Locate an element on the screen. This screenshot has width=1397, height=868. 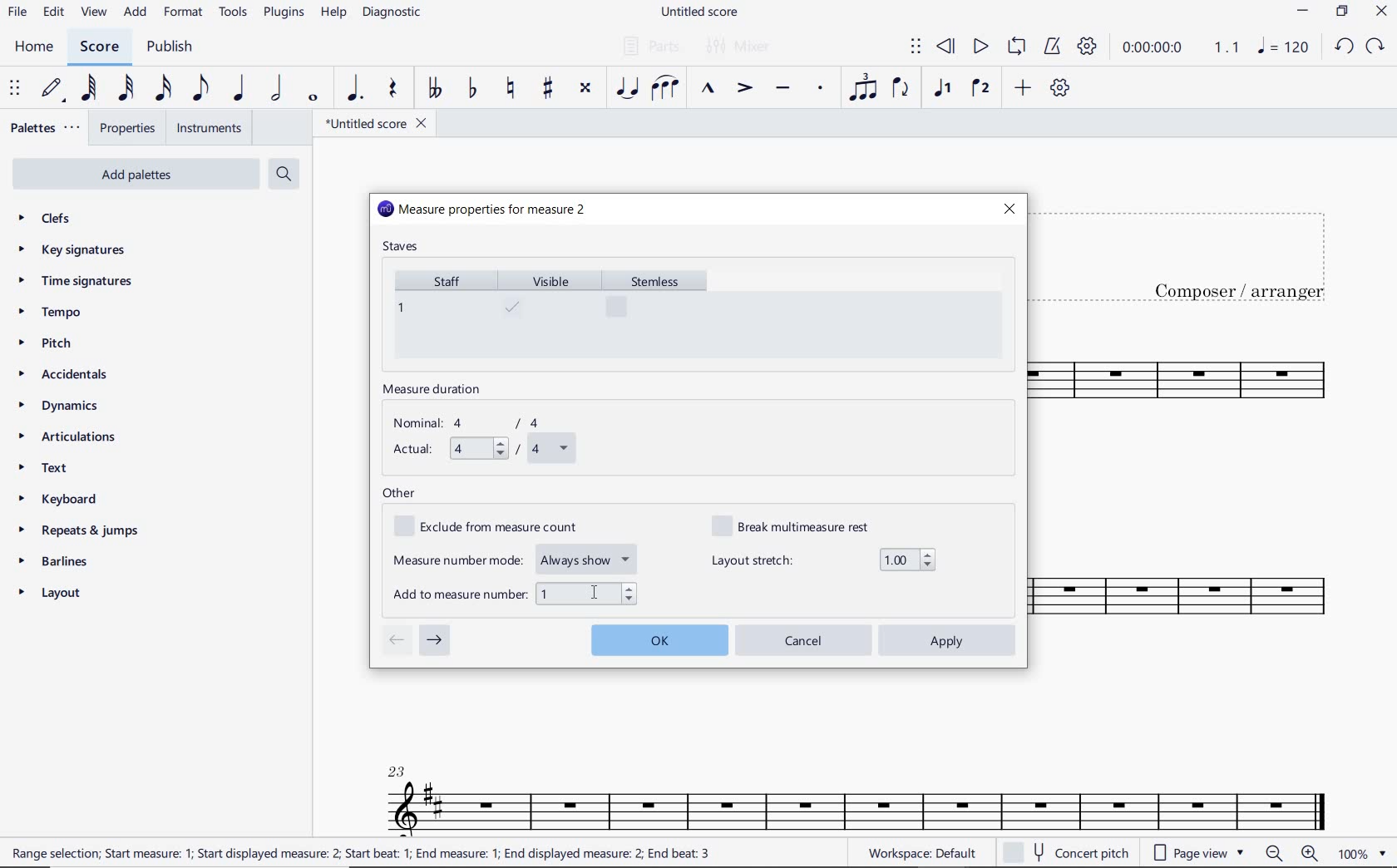
ARTICULATIONS is located at coordinates (68, 438).